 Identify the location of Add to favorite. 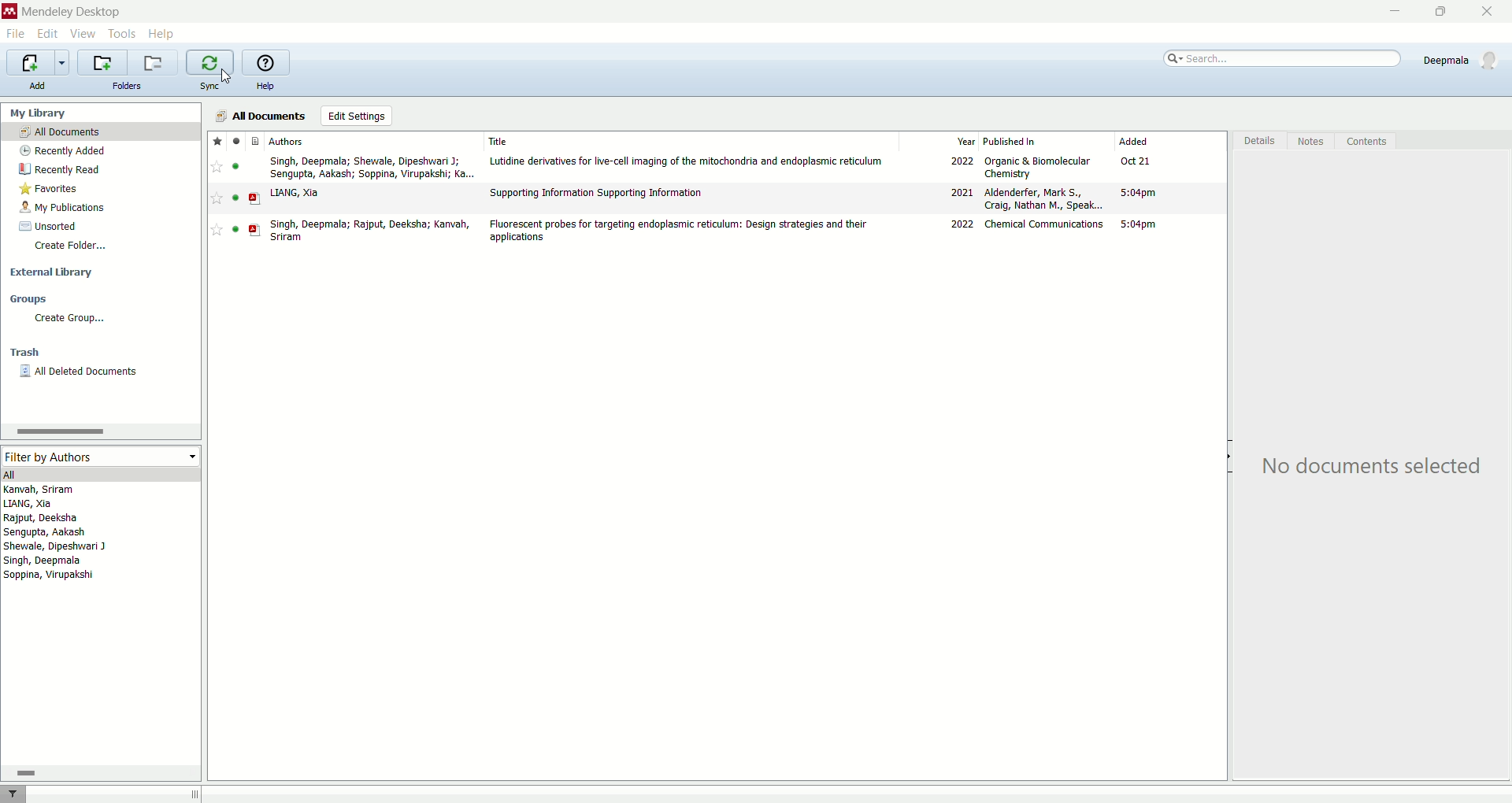
(216, 197).